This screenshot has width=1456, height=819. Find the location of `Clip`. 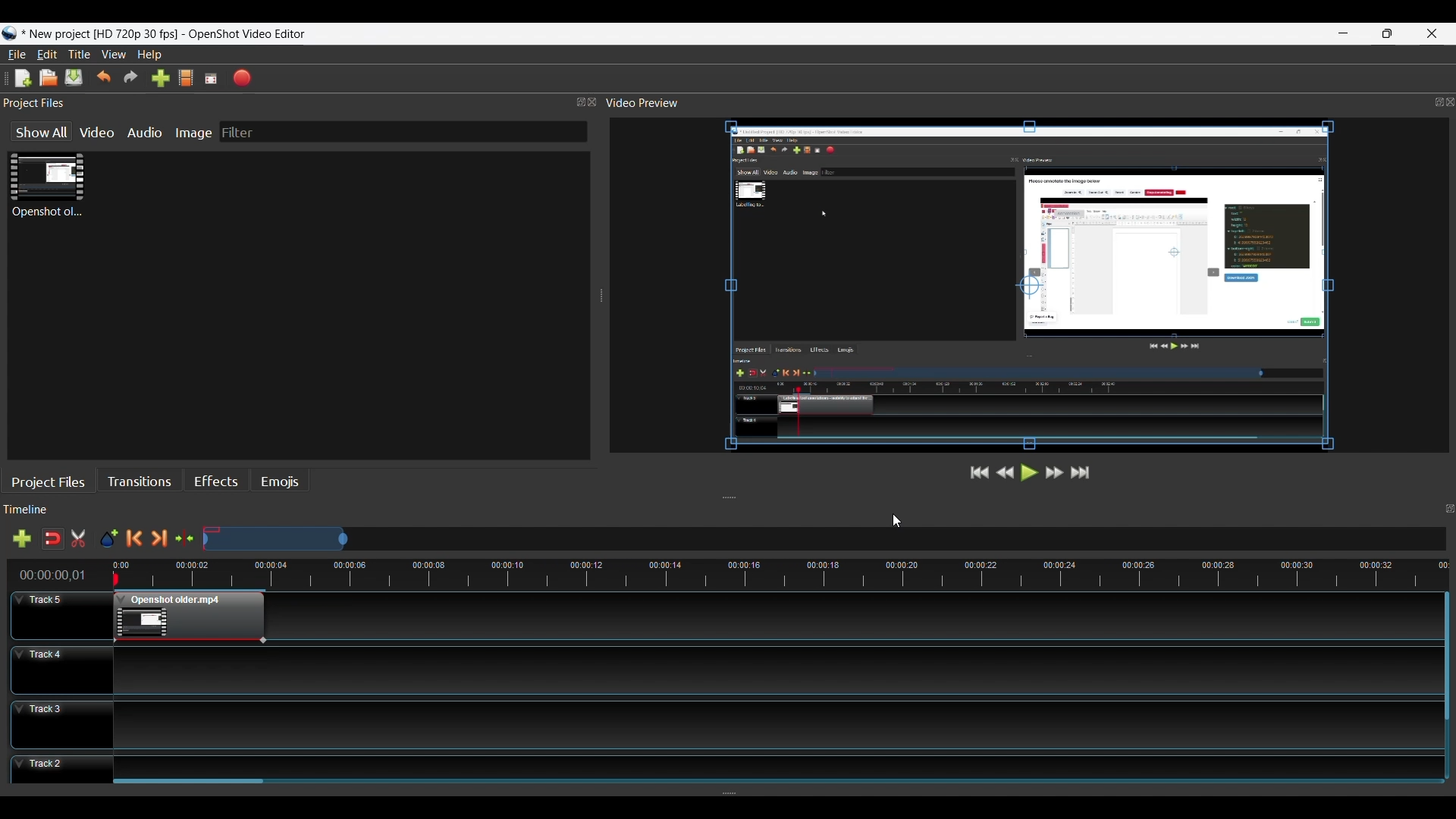

Clip is located at coordinates (46, 188).